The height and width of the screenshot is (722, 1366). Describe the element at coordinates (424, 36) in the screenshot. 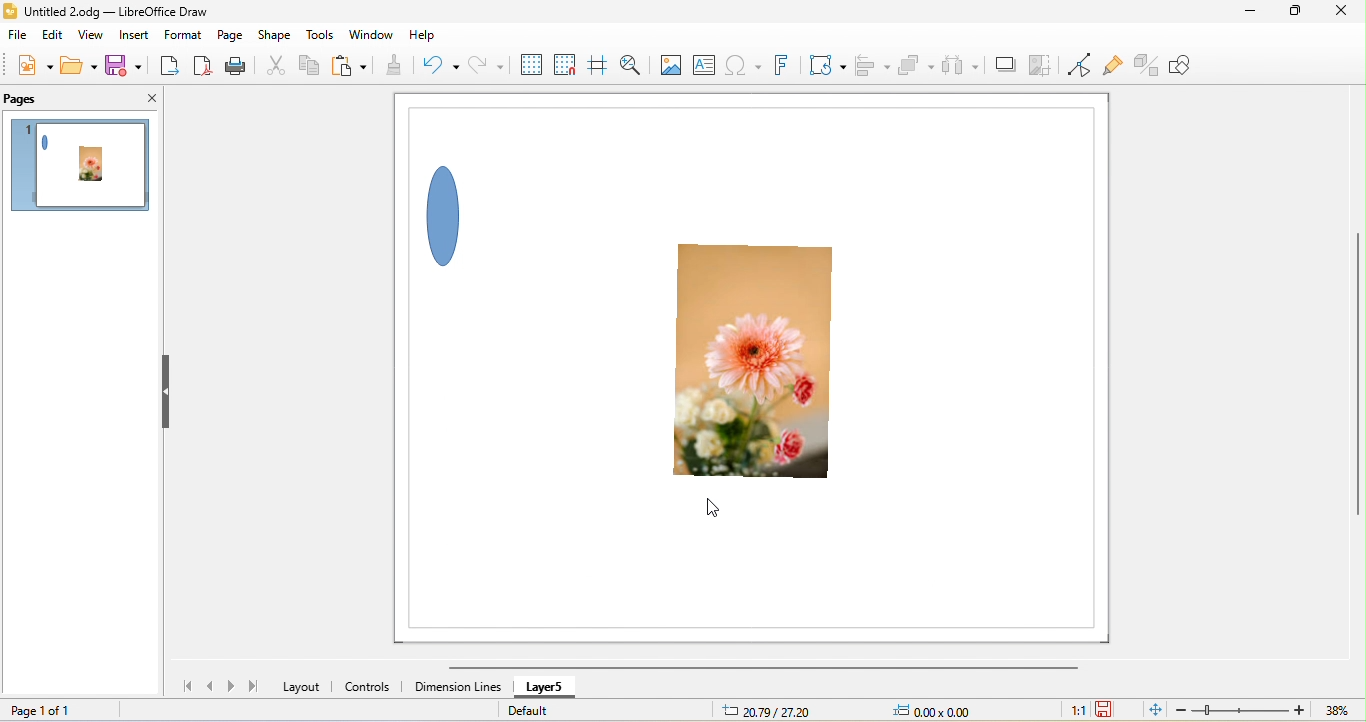

I see `help` at that location.